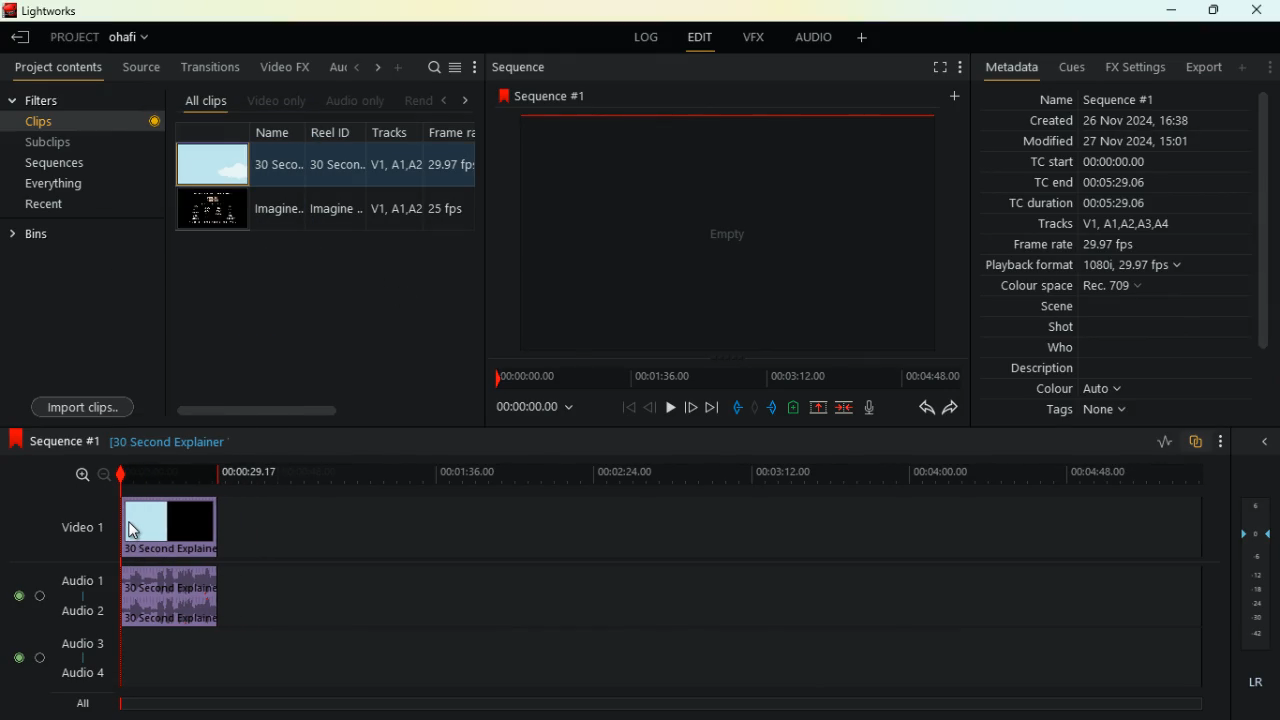  What do you see at coordinates (1266, 69) in the screenshot?
I see `more` at bounding box center [1266, 69].